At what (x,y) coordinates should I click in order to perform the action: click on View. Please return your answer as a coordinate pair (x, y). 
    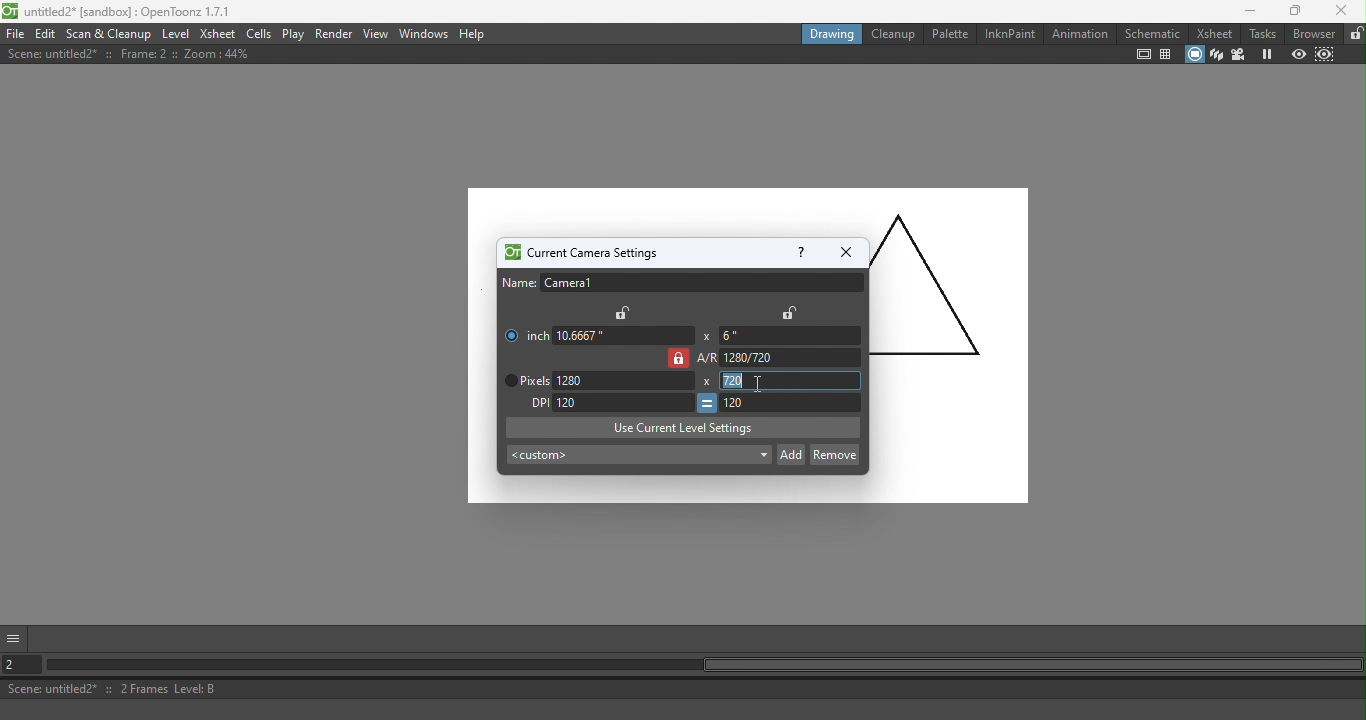
    Looking at the image, I should click on (377, 33).